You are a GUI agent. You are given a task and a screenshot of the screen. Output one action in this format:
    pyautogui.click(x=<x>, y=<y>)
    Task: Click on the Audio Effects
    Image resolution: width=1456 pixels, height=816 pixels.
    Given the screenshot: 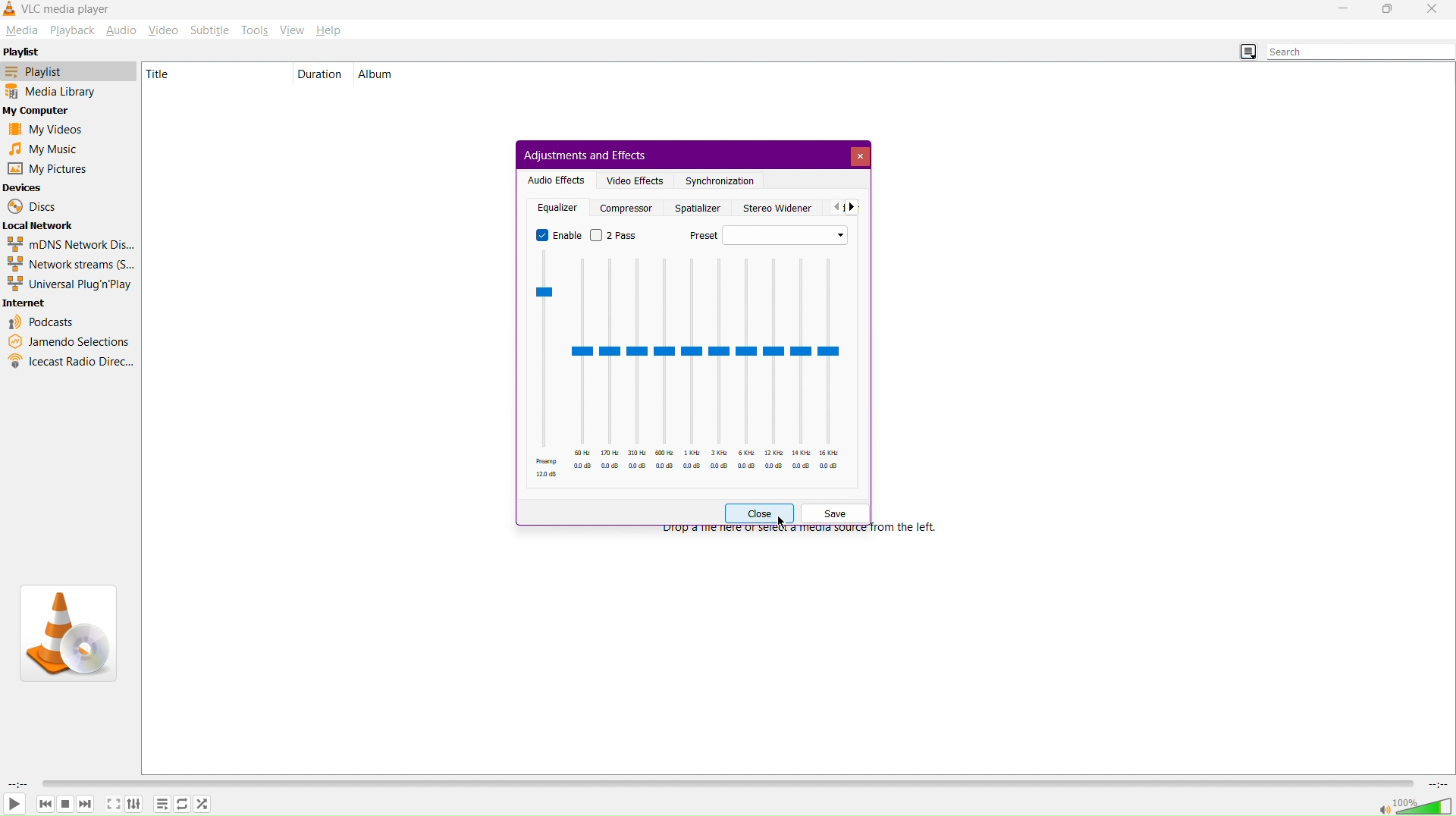 What is the action you would take?
    pyautogui.click(x=558, y=180)
    